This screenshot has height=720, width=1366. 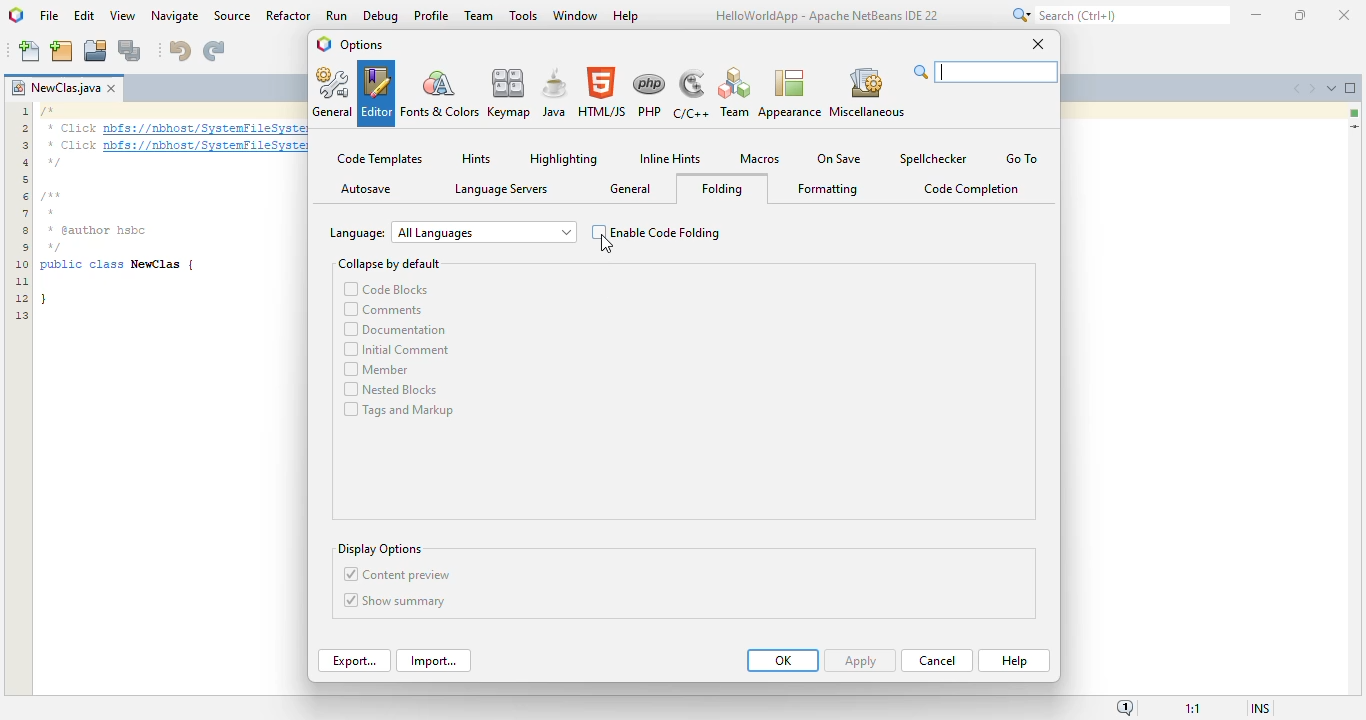 What do you see at coordinates (603, 93) in the screenshot?
I see `HTML/JS` at bounding box center [603, 93].